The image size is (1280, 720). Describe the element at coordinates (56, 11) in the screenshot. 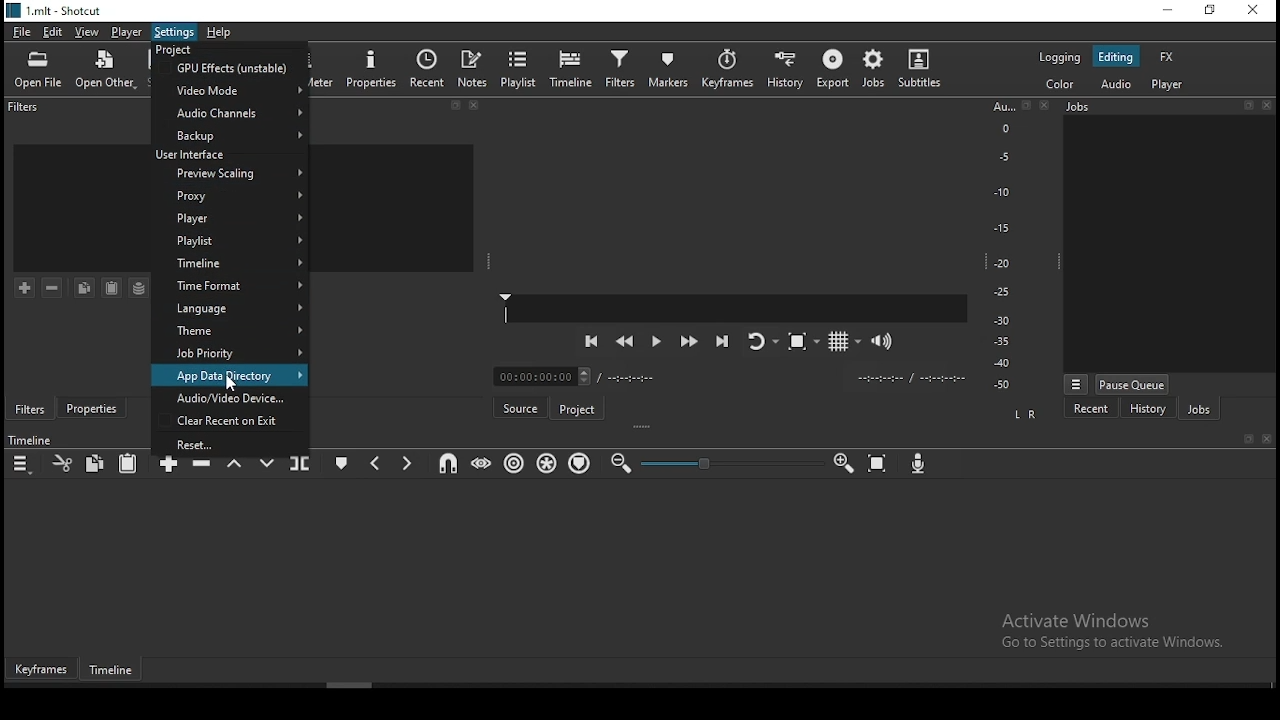

I see `1.mlt - Shotcut` at that location.